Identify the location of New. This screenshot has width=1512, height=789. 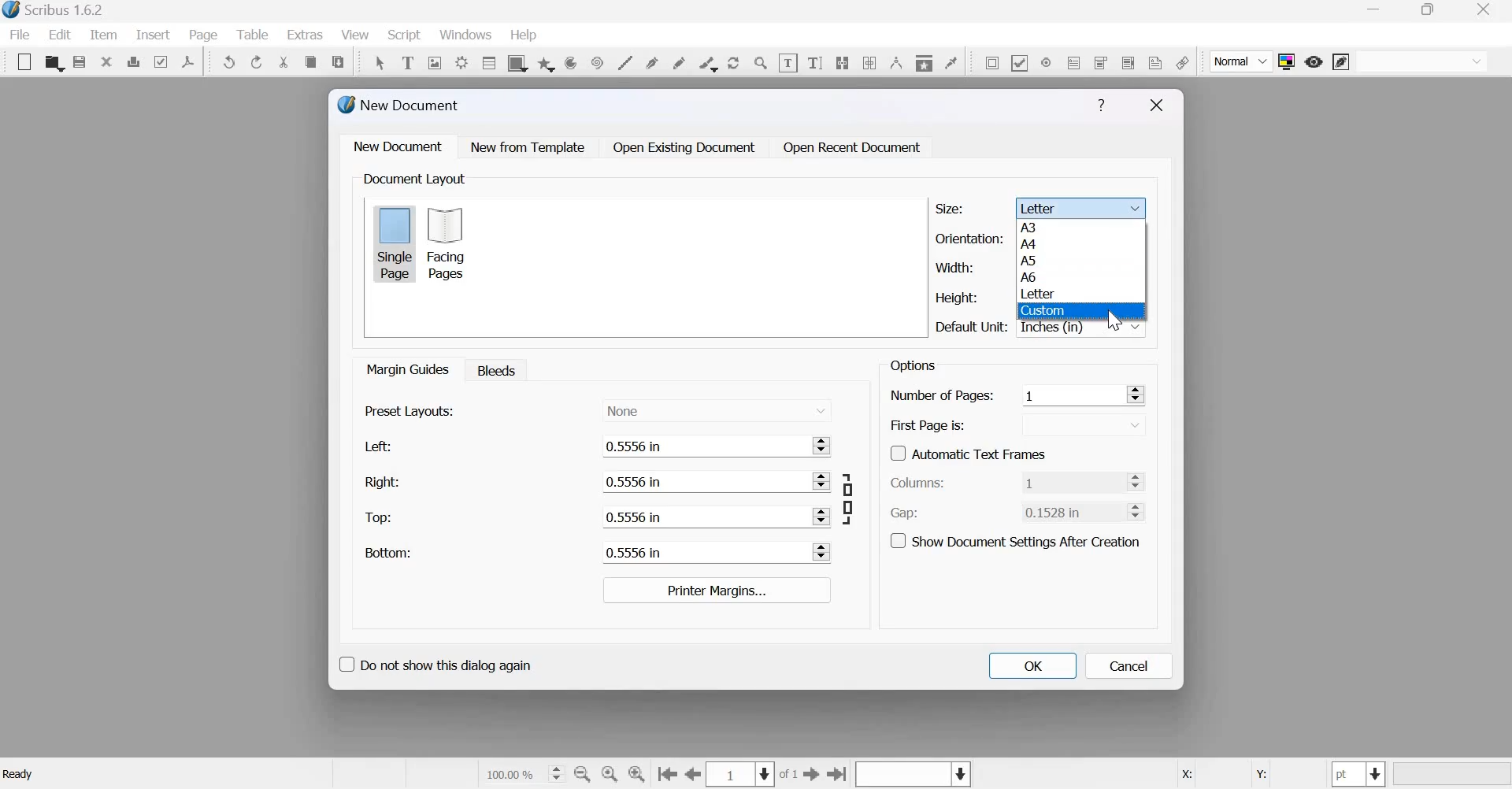
(20, 62).